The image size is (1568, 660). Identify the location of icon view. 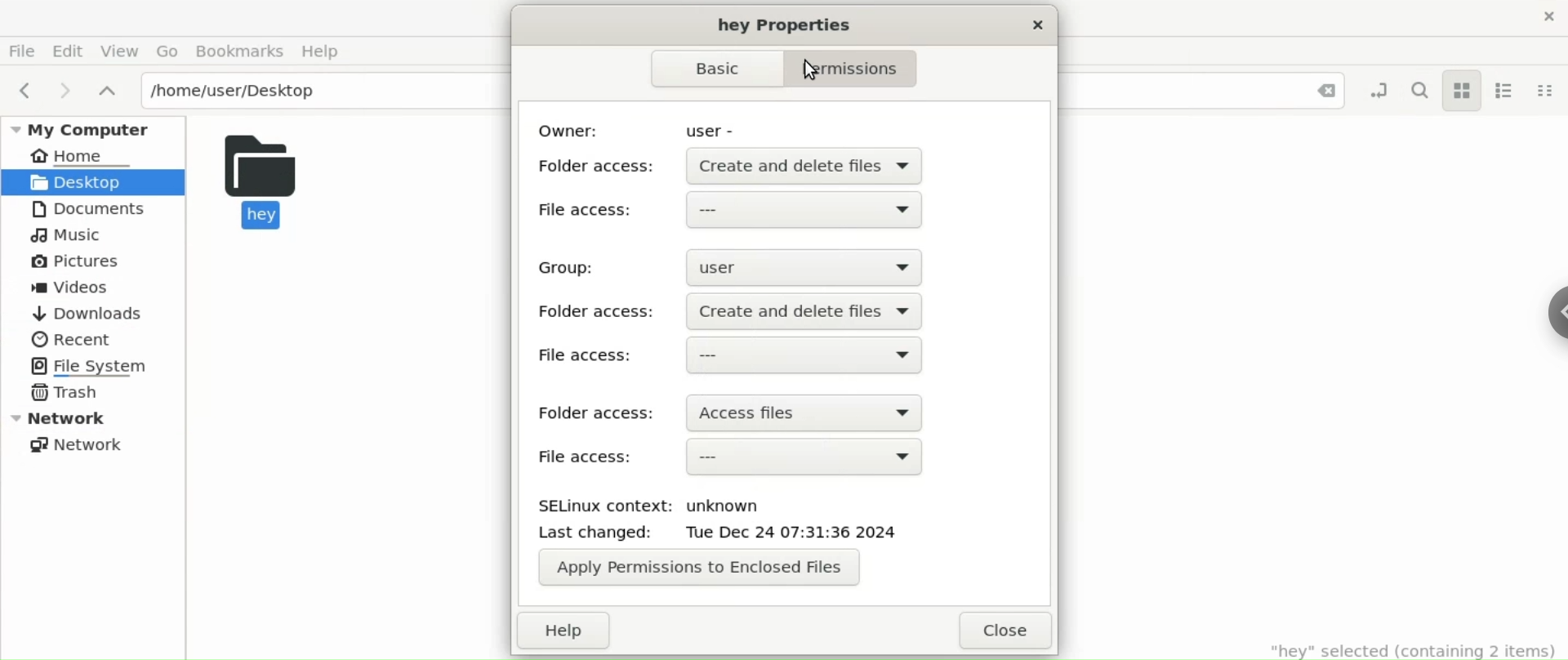
(1462, 91).